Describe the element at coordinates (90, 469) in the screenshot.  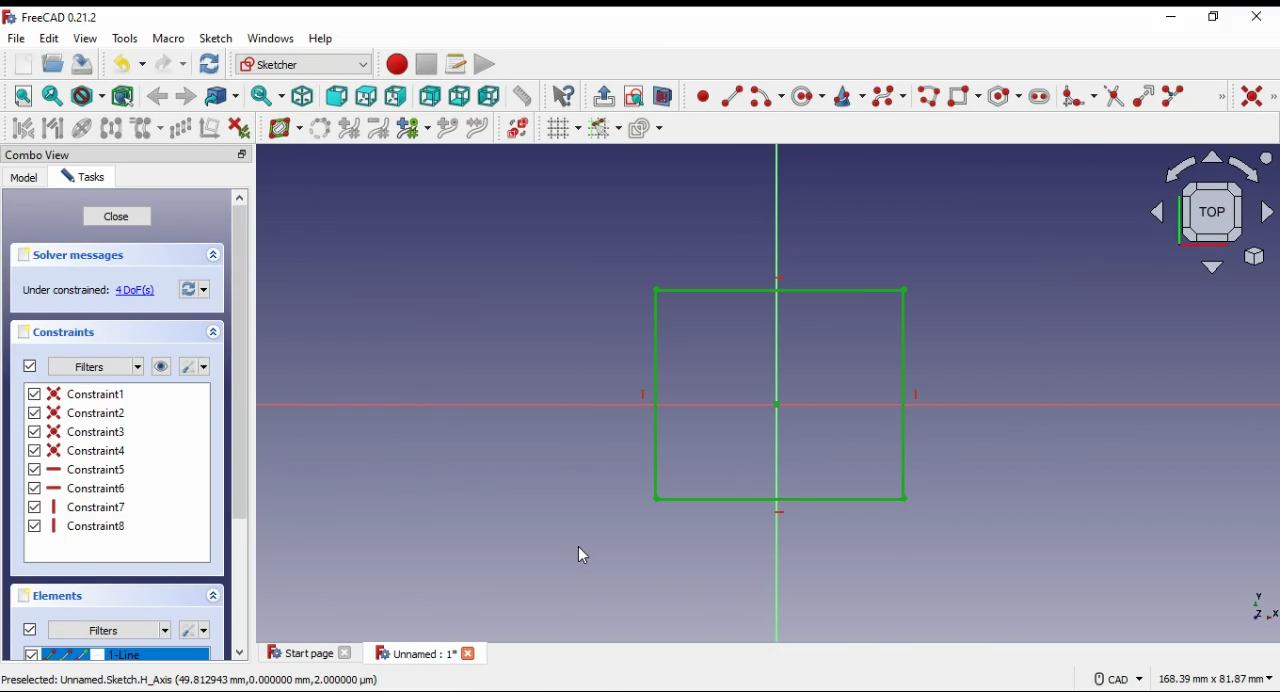
I see `on/off constraint 5` at that location.